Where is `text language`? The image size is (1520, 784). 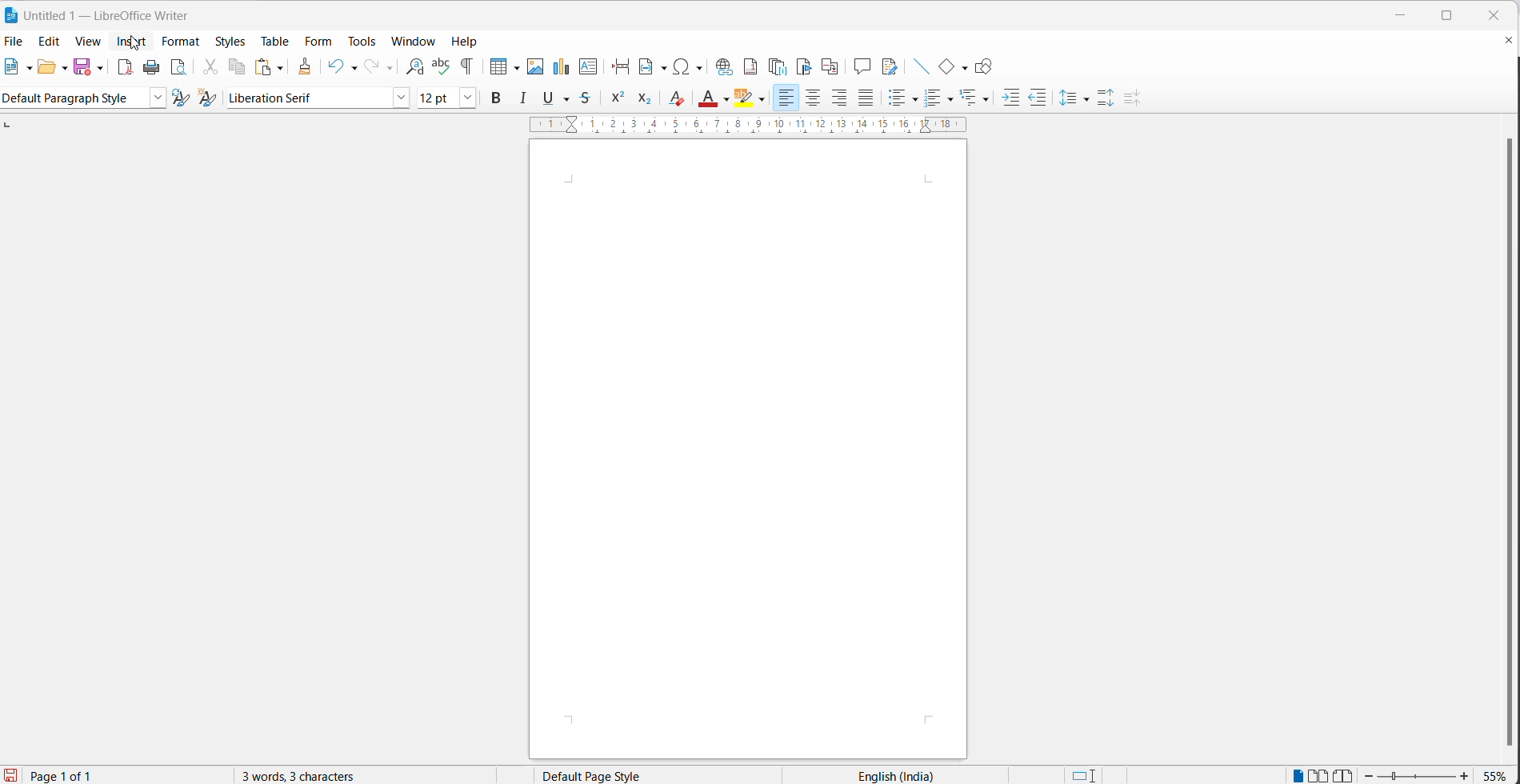 text language is located at coordinates (915, 774).